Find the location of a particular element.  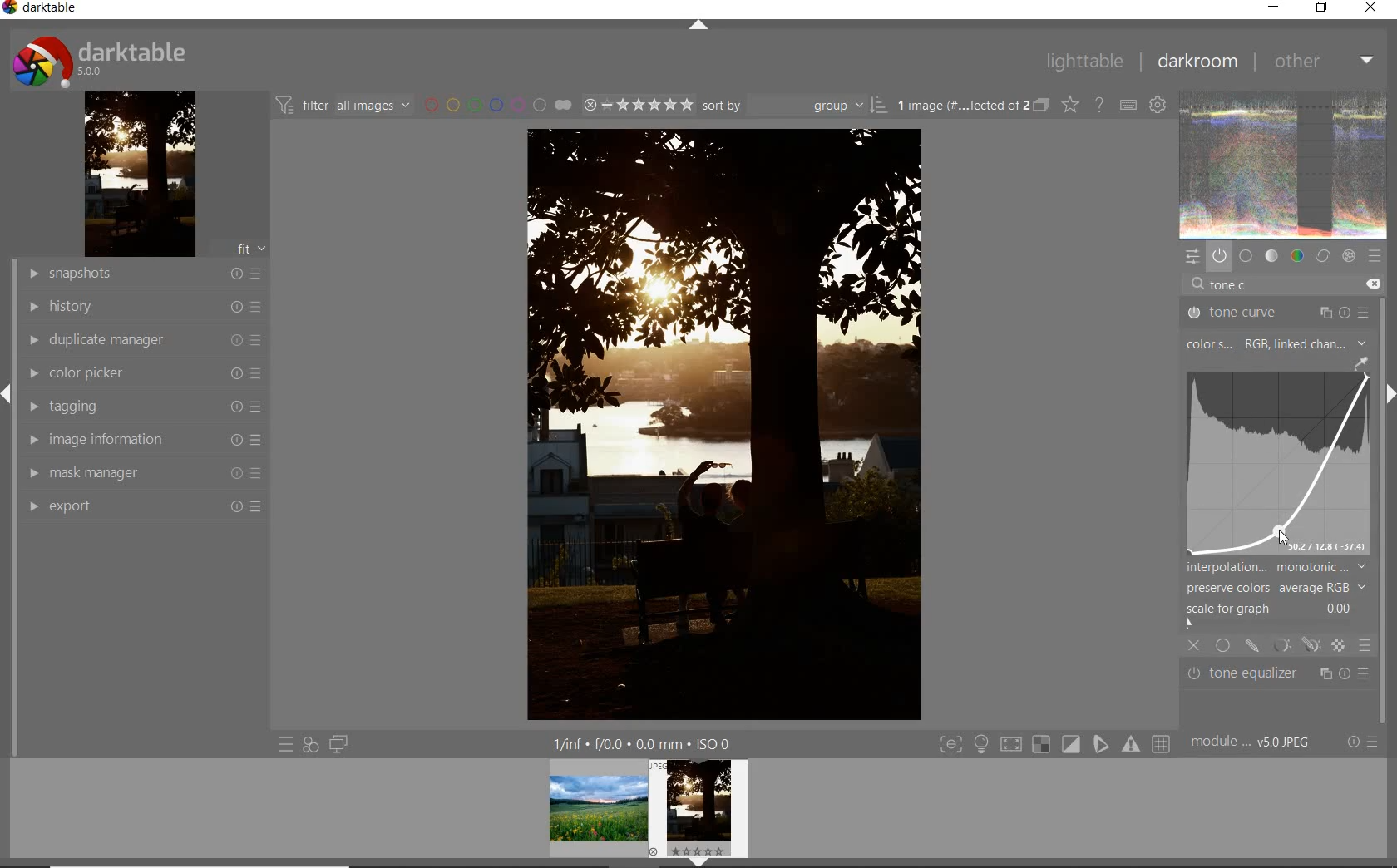

scale for graph is located at coordinates (1272, 609).